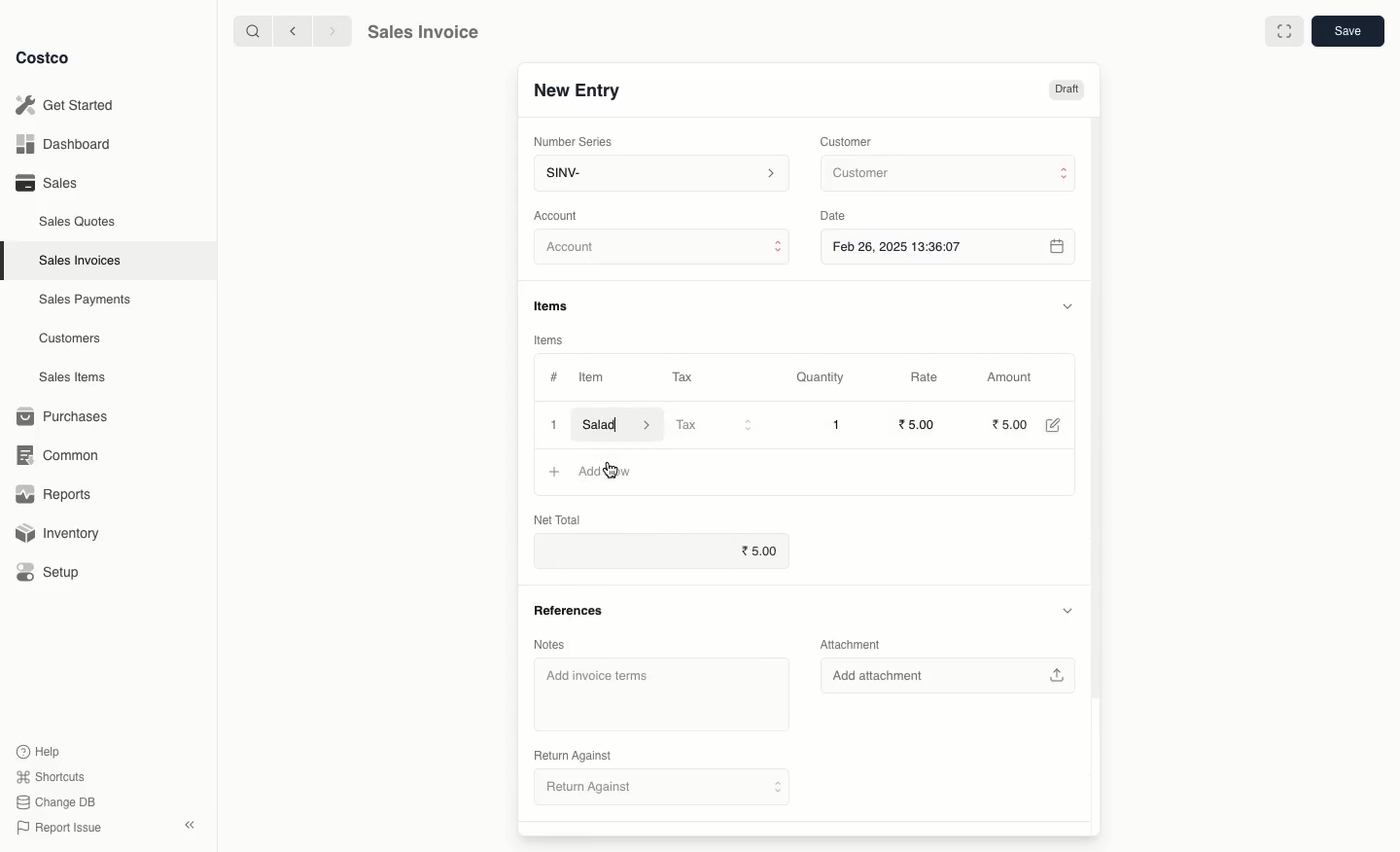  What do you see at coordinates (70, 337) in the screenshot?
I see `Customers` at bounding box center [70, 337].